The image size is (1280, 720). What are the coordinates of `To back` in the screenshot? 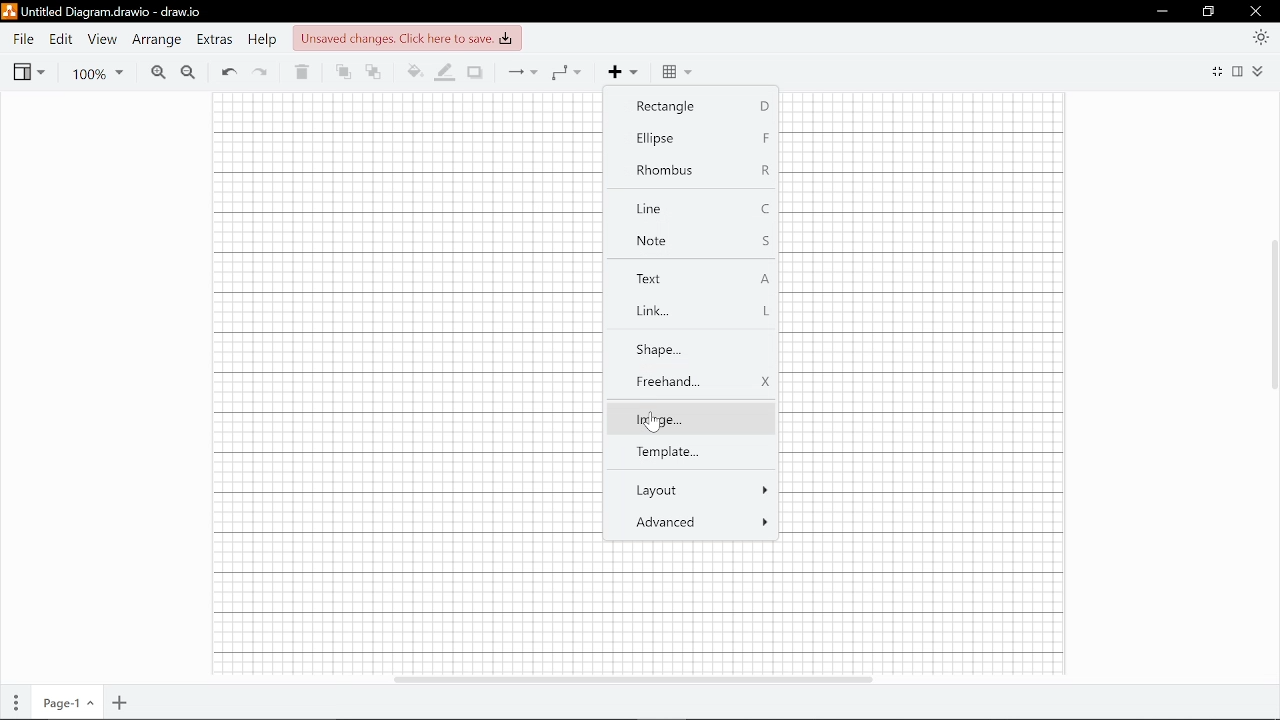 It's located at (376, 71).